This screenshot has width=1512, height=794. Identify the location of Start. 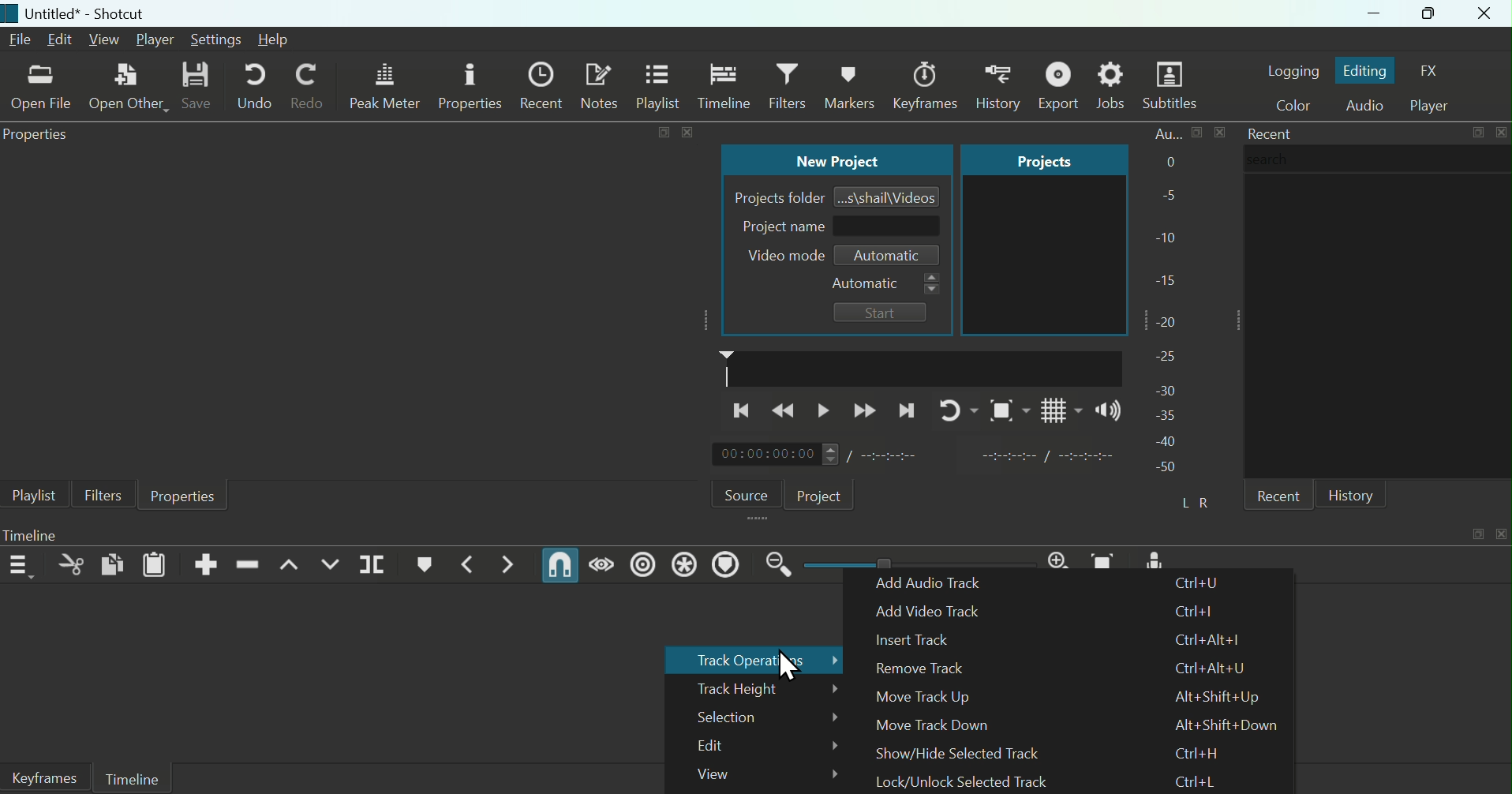
(881, 312).